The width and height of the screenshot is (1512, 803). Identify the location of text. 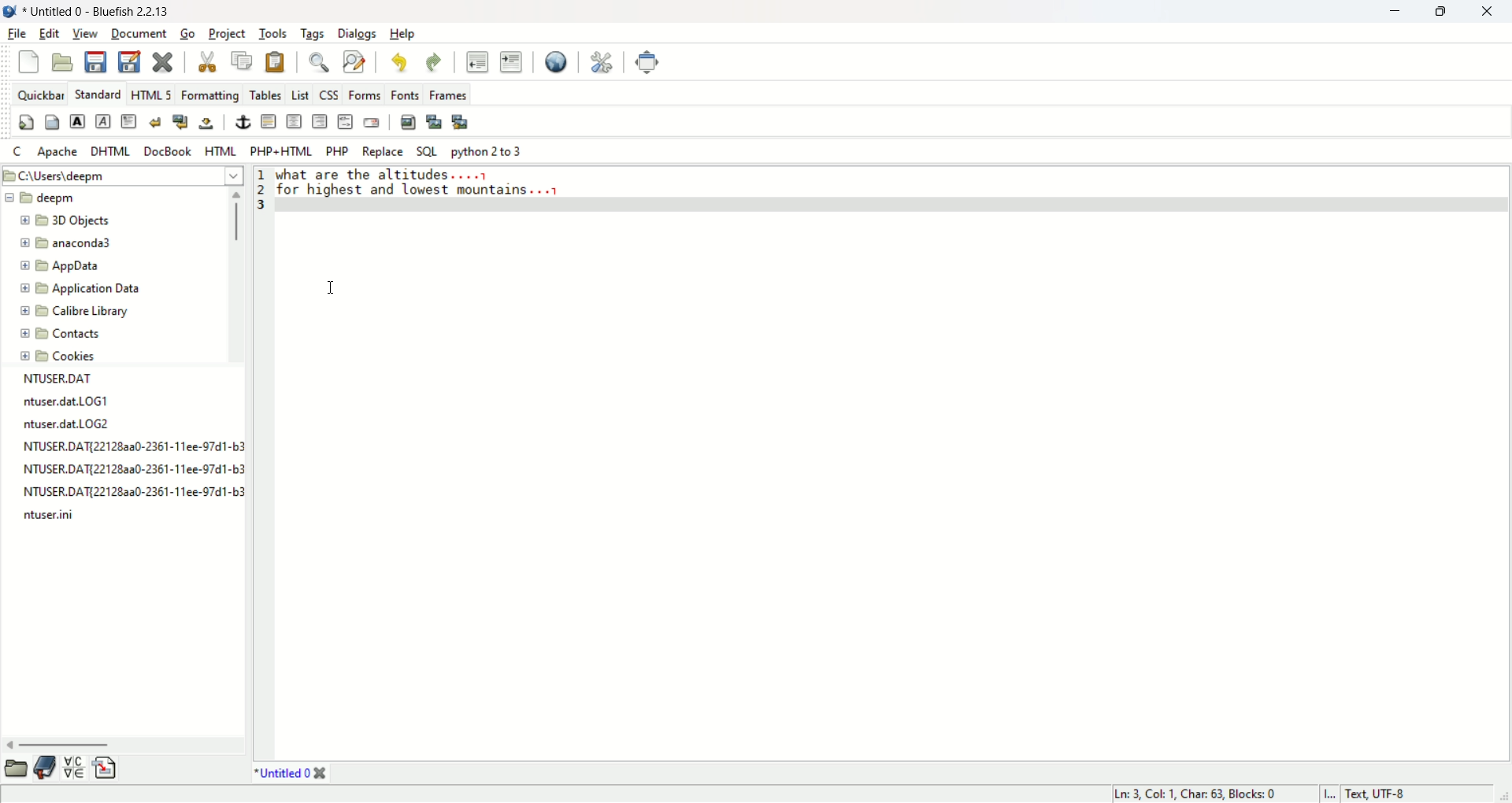
(420, 185).